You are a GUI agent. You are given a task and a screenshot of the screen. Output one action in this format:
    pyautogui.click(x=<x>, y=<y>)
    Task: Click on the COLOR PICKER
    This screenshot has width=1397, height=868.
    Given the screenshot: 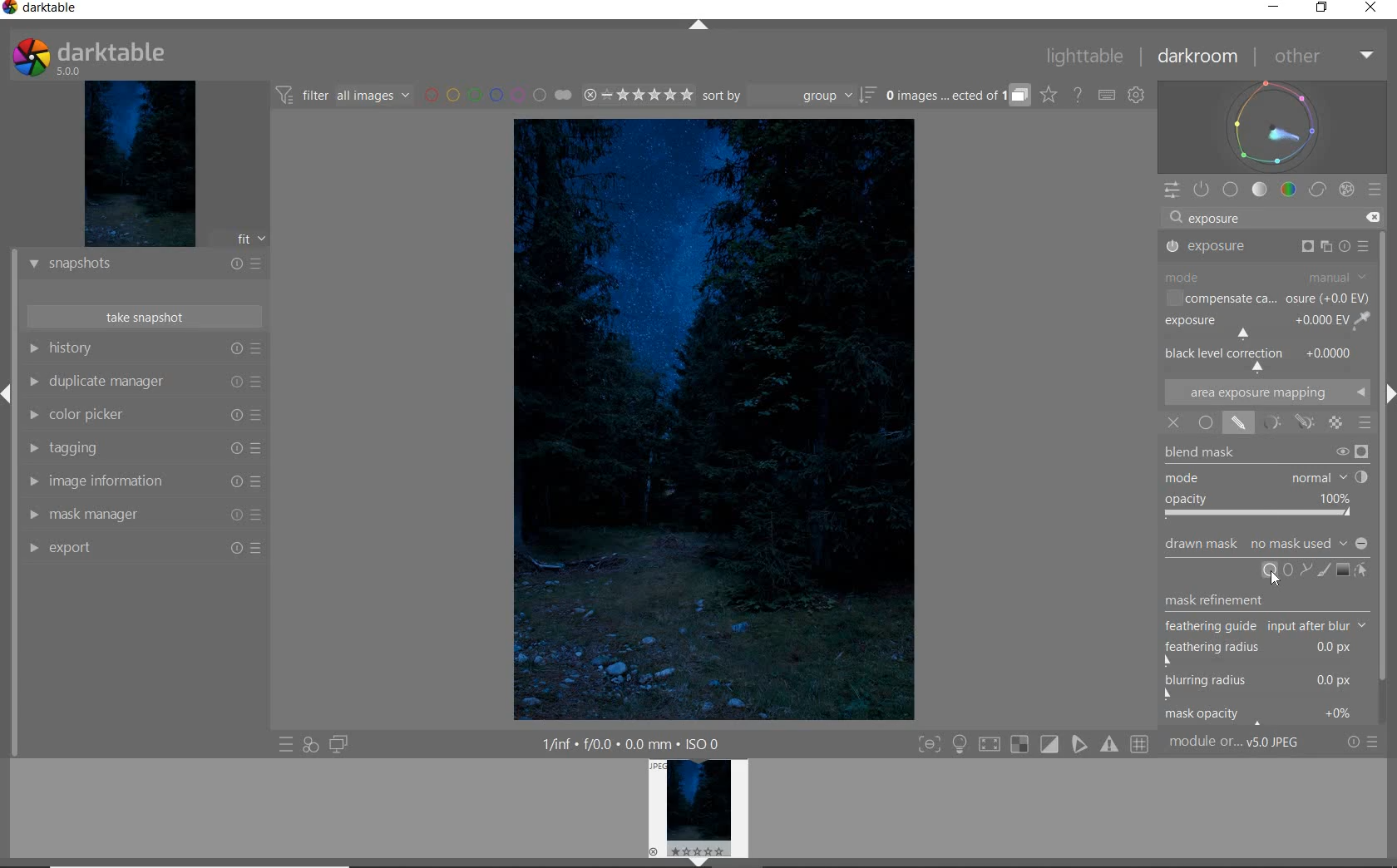 What is the action you would take?
    pyautogui.click(x=144, y=417)
    